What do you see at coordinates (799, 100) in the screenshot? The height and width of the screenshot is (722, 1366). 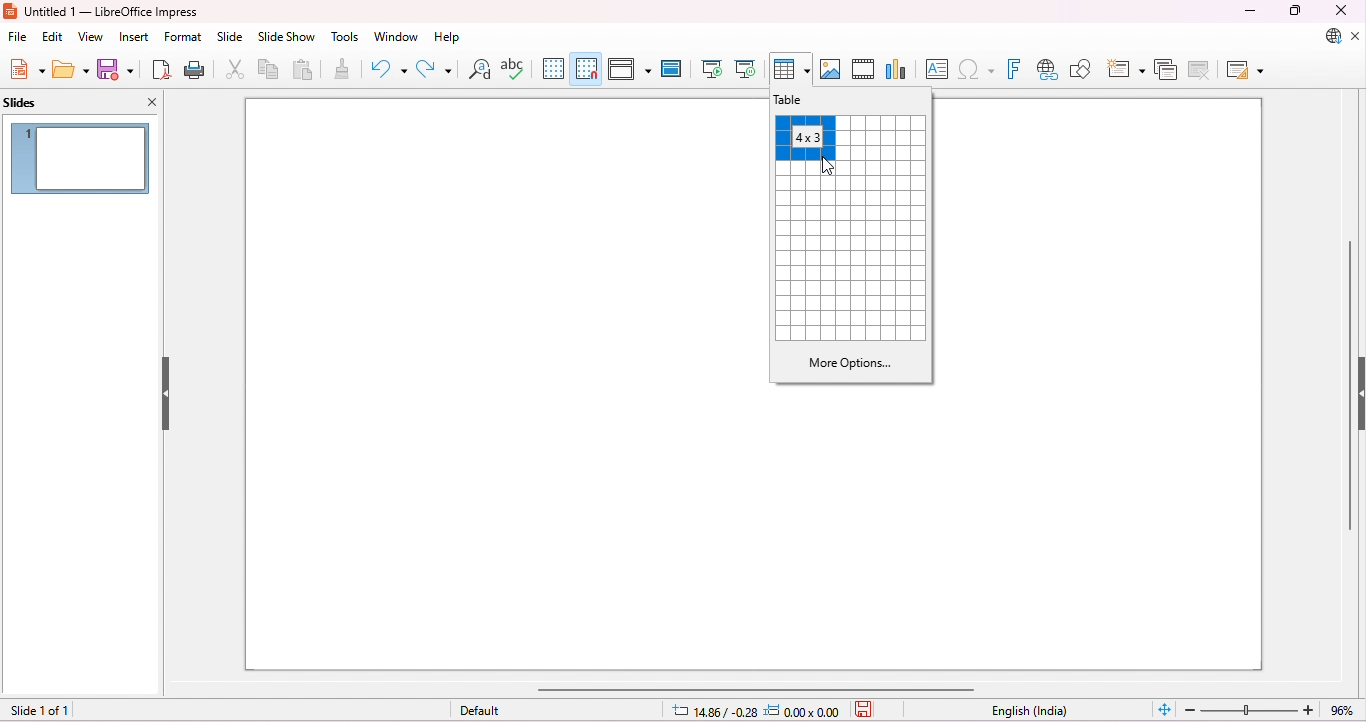 I see `table` at bounding box center [799, 100].